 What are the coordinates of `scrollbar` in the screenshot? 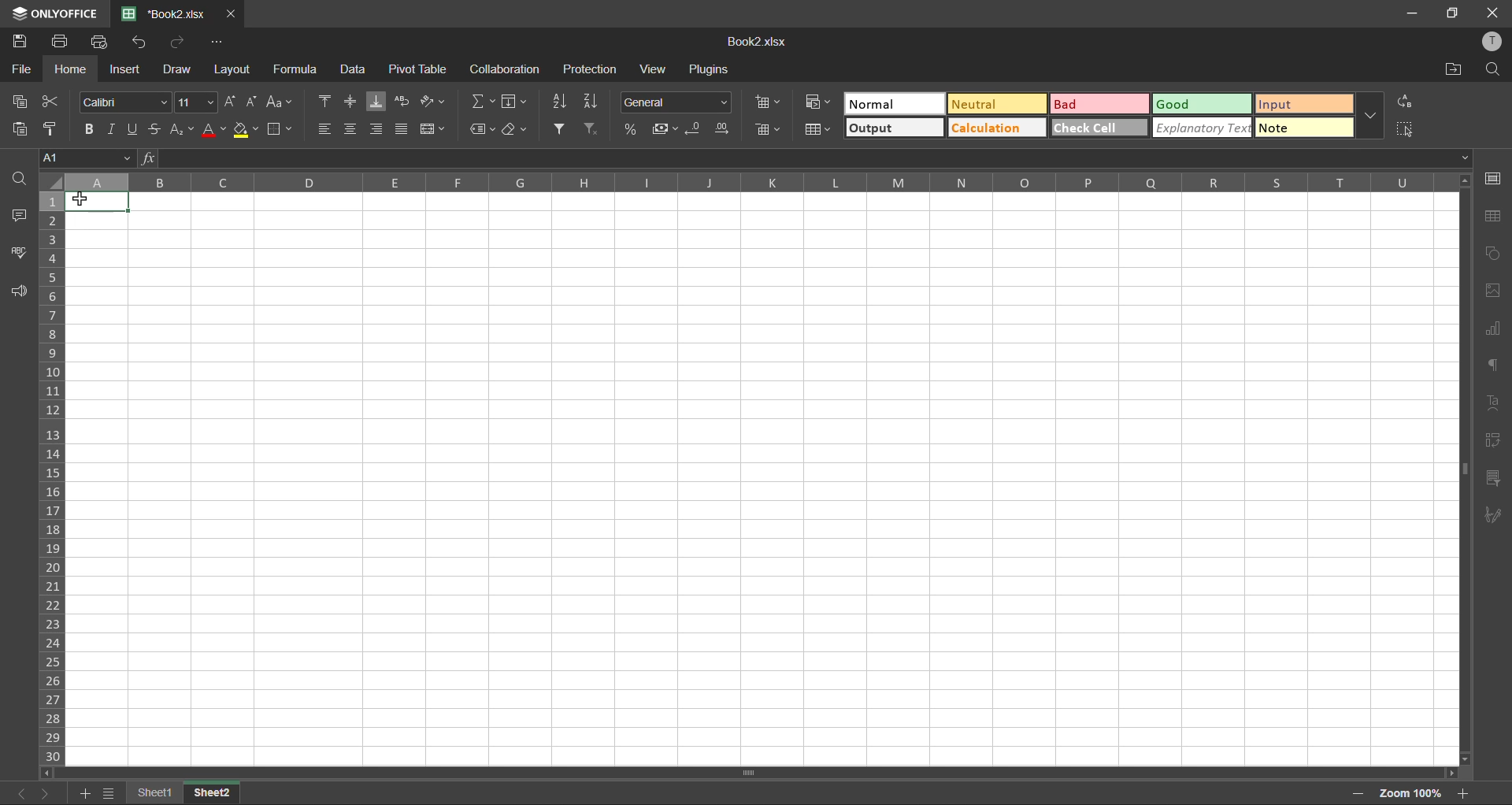 It's located at (1464, 473).